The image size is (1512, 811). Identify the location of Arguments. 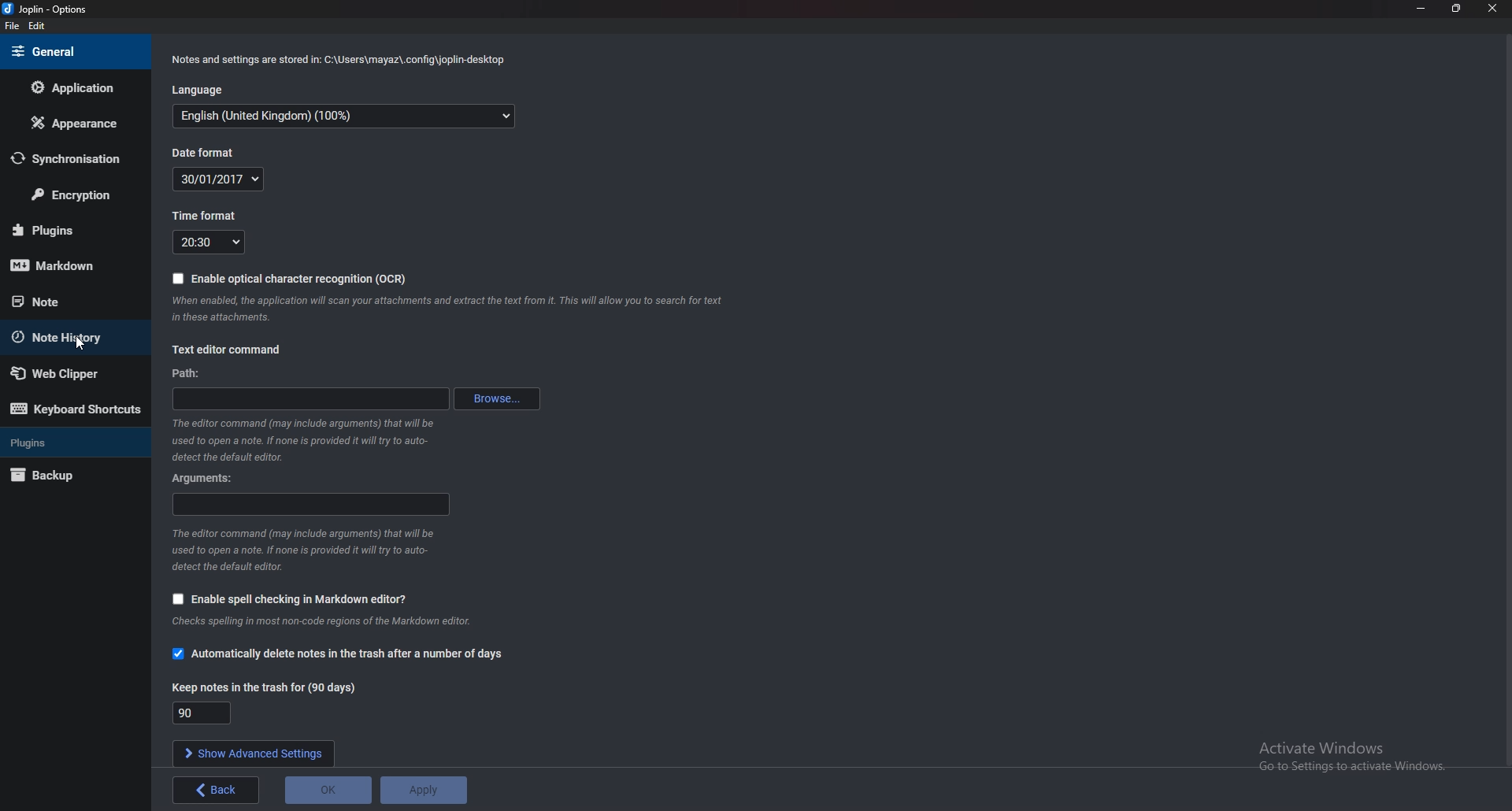
(203, 479).